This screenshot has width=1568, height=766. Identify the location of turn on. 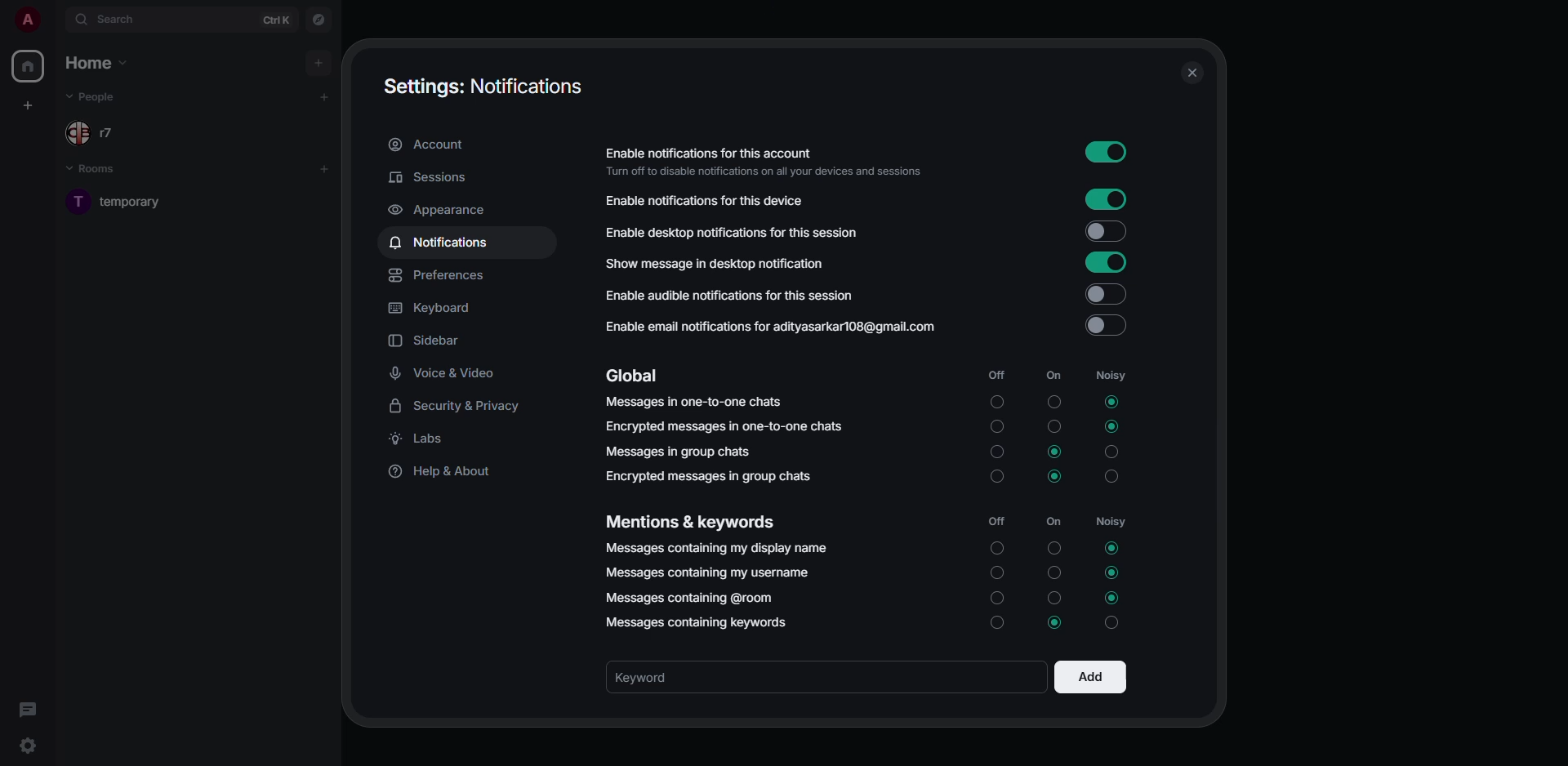
(996, 478).